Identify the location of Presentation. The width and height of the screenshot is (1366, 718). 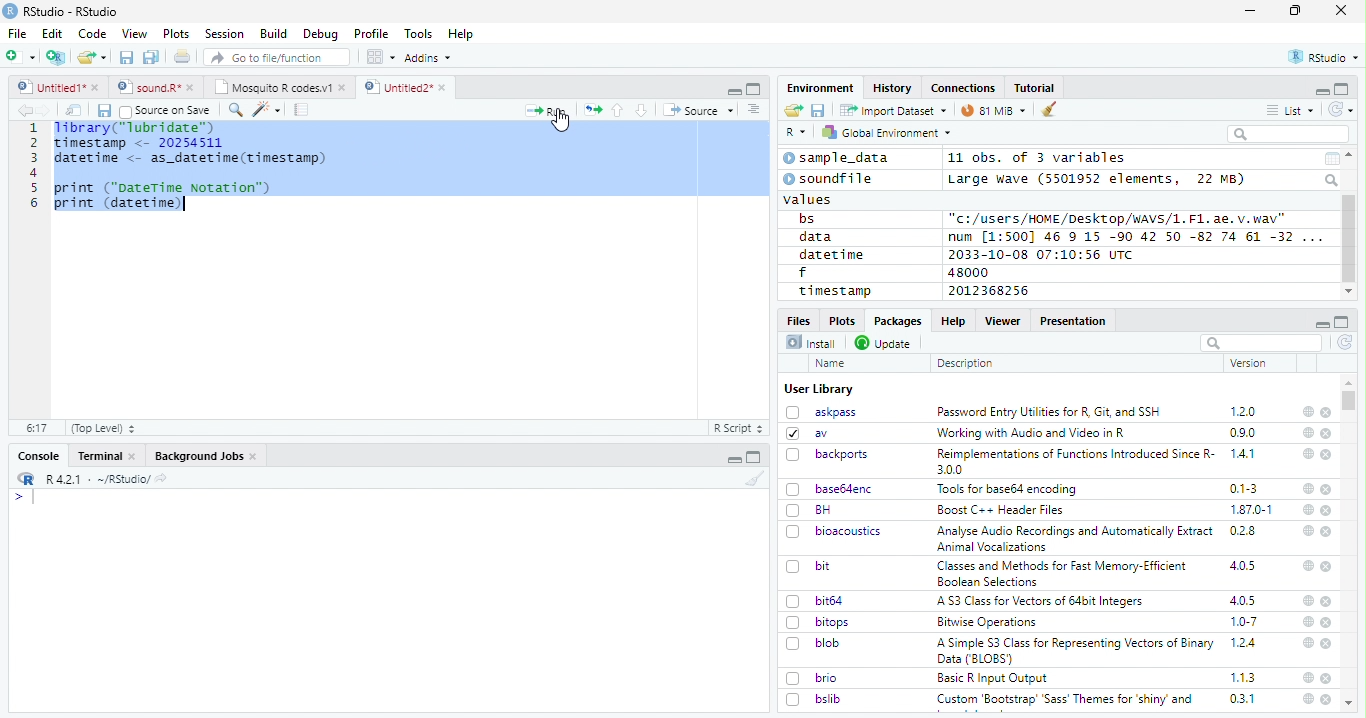
(1074, 321).